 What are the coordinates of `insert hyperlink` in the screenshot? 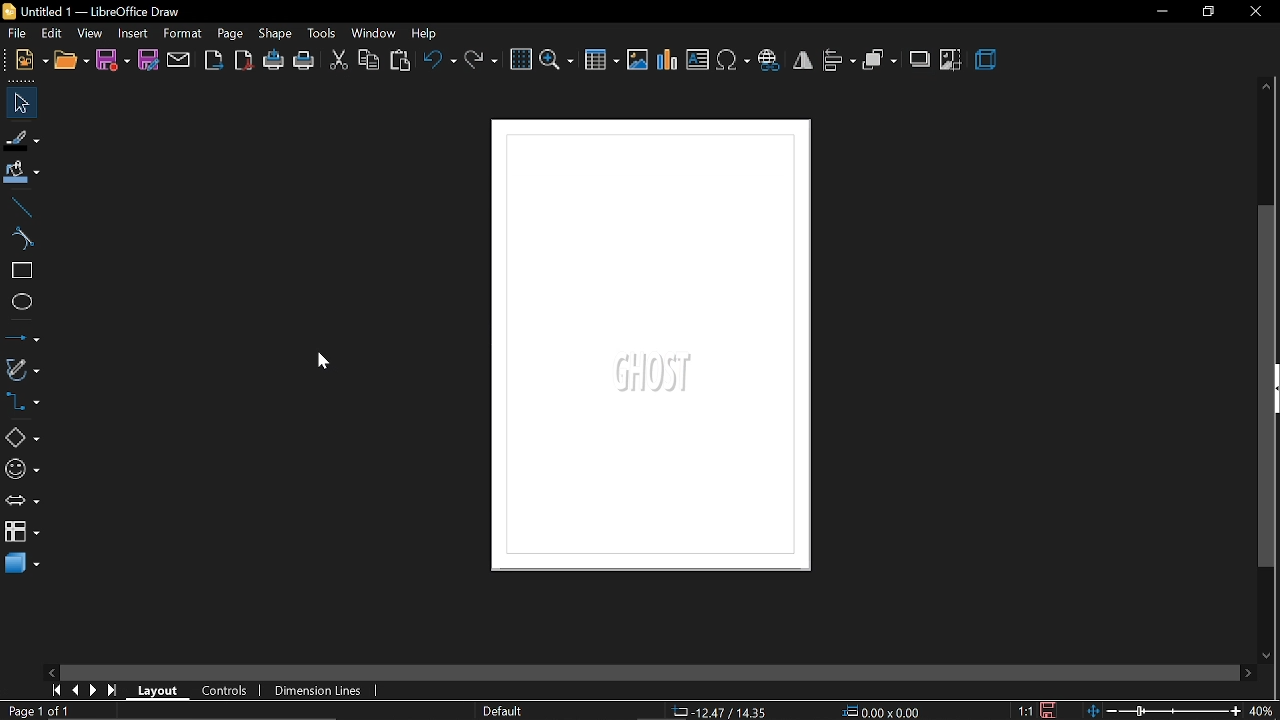 It's located at (770, 59).